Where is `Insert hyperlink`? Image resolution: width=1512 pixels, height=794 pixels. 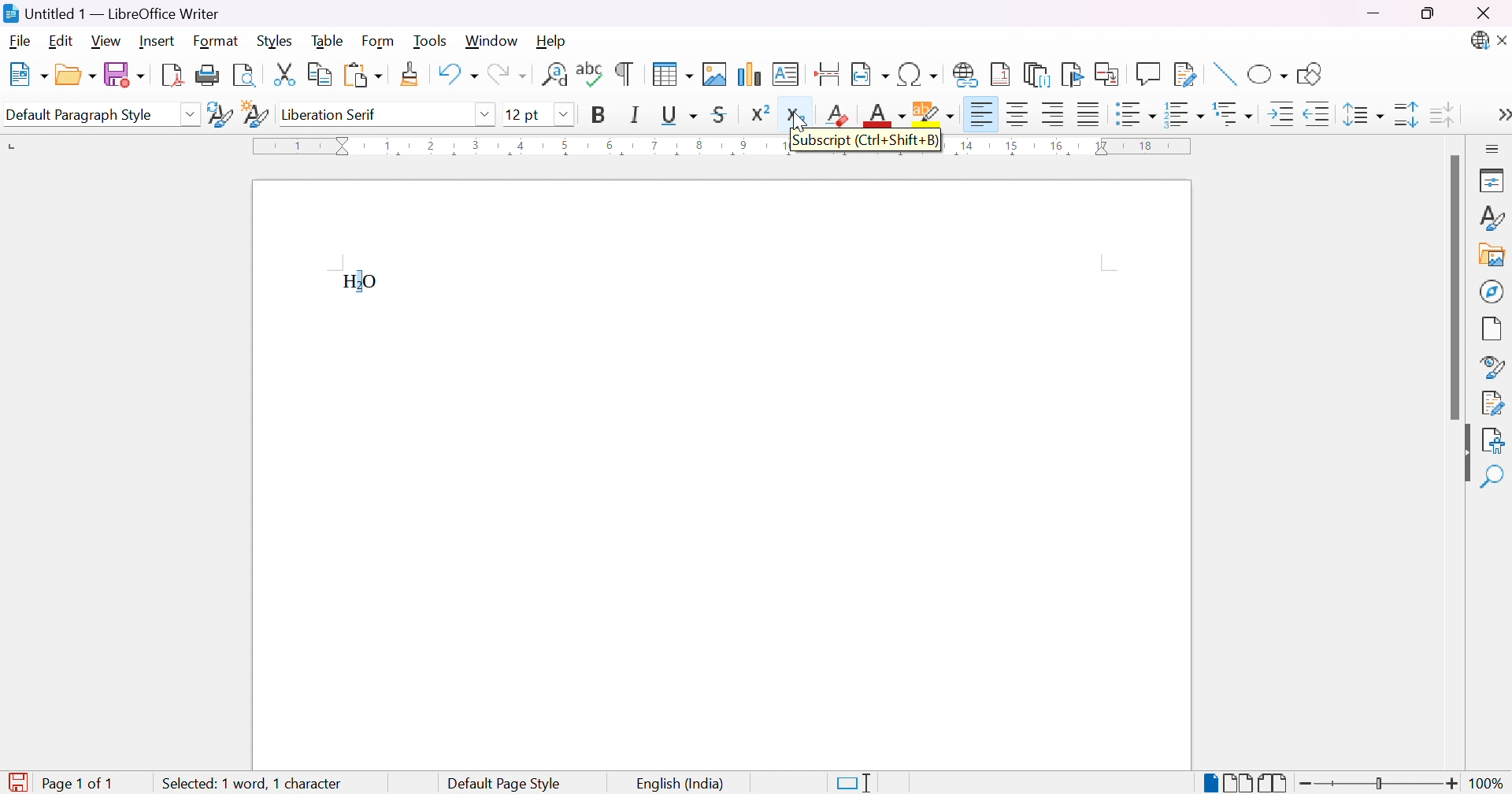 Insert hyperlink is located at coordinates (966, 74).